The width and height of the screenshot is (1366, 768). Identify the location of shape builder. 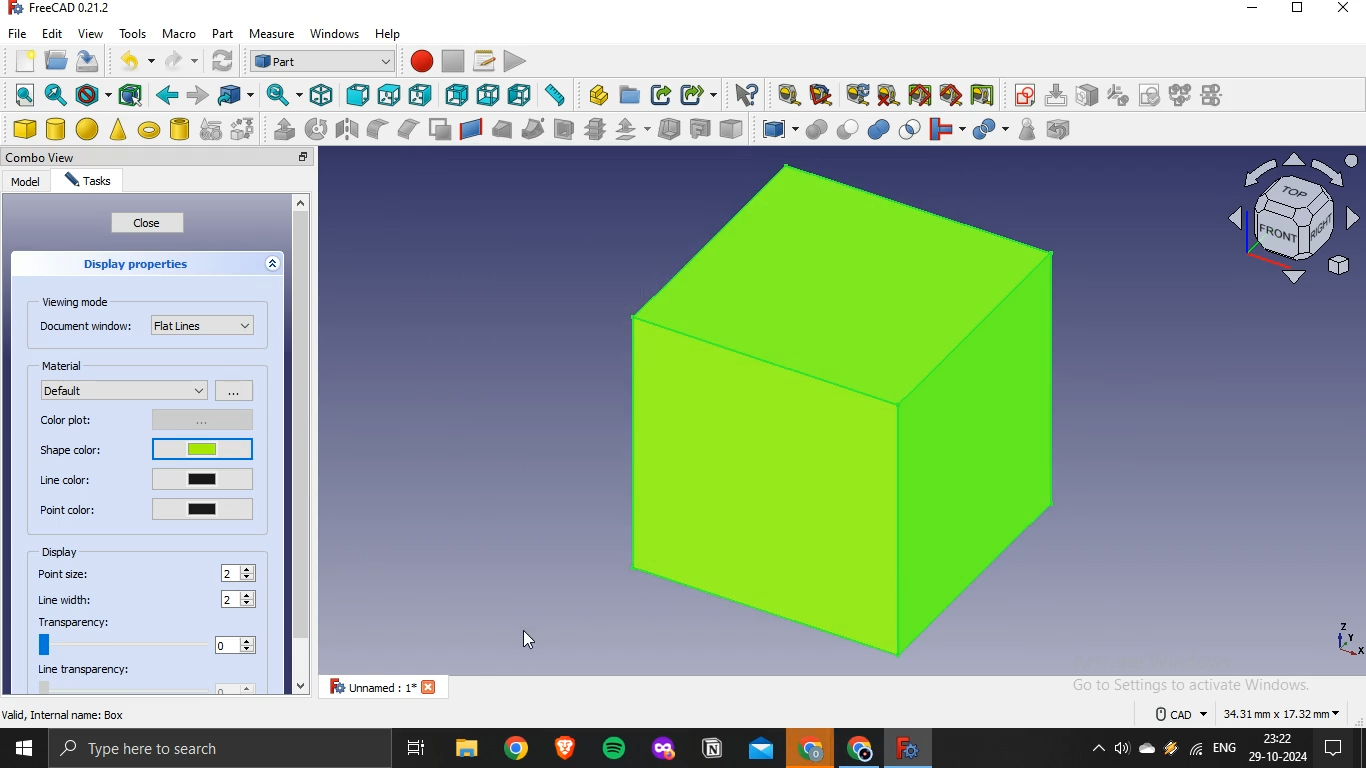
(243, 128).